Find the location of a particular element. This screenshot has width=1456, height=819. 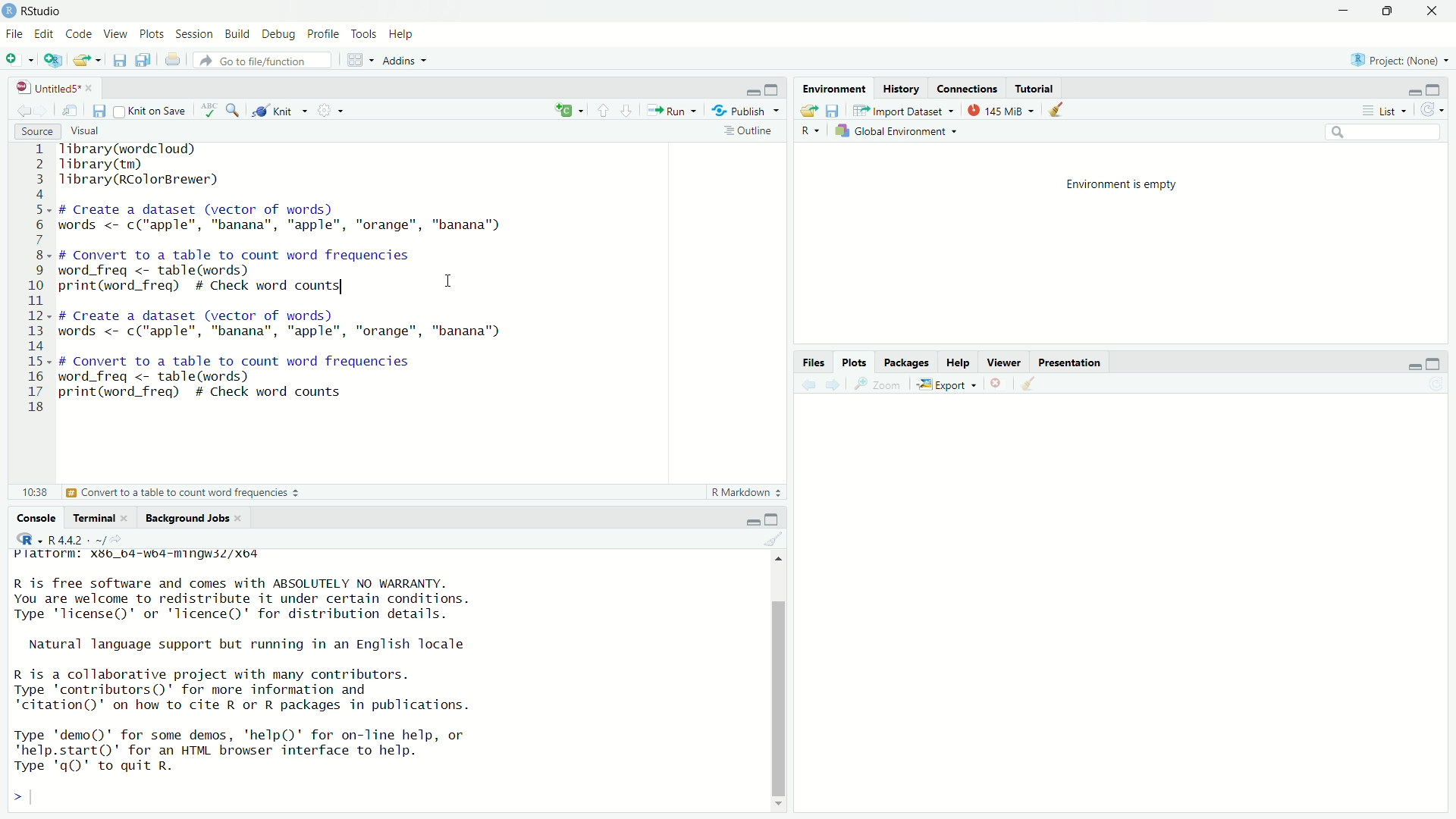

Untitled is located at coordinates (56, 88).